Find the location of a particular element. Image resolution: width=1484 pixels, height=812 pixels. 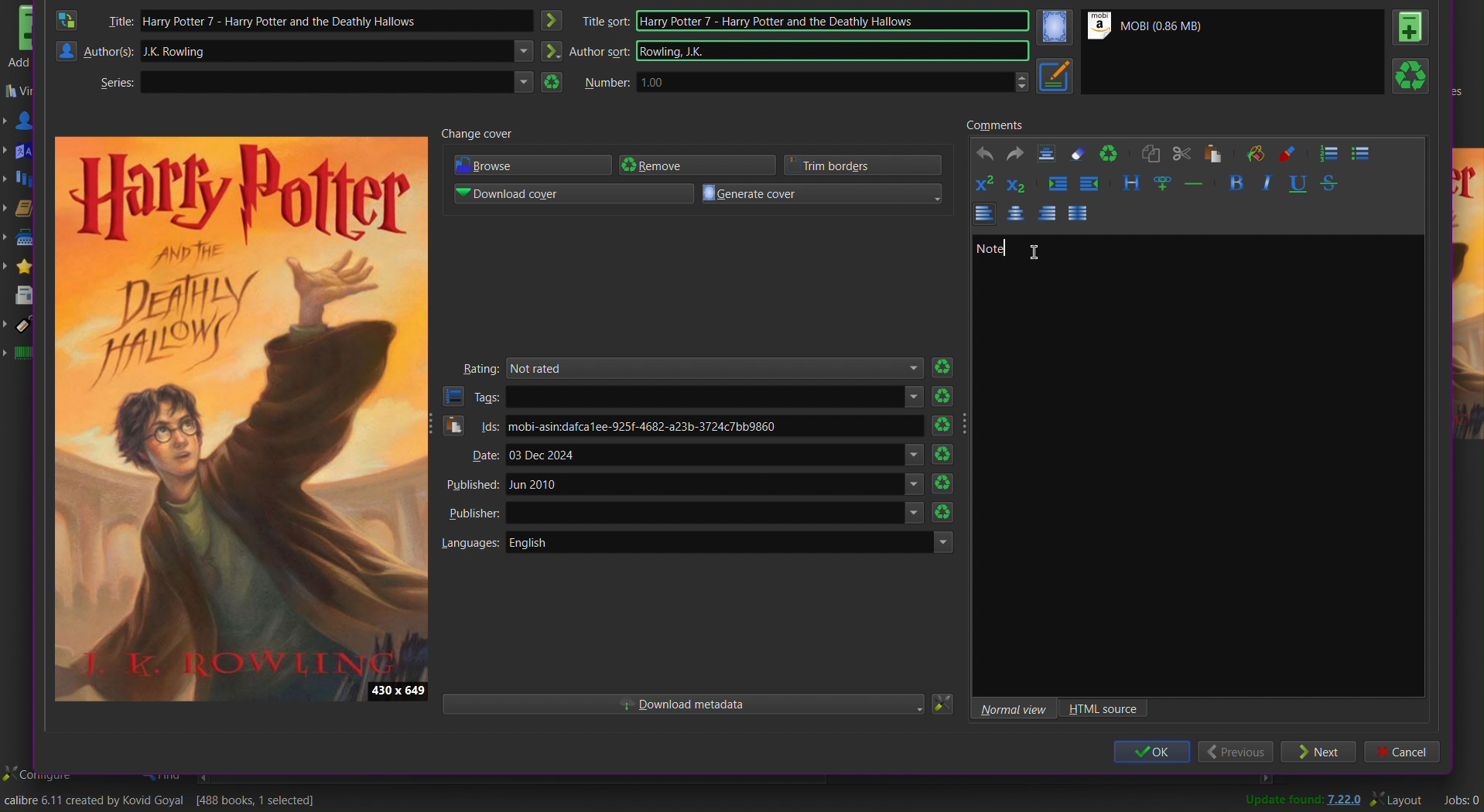

Rating is located at coordinates (477, 365).